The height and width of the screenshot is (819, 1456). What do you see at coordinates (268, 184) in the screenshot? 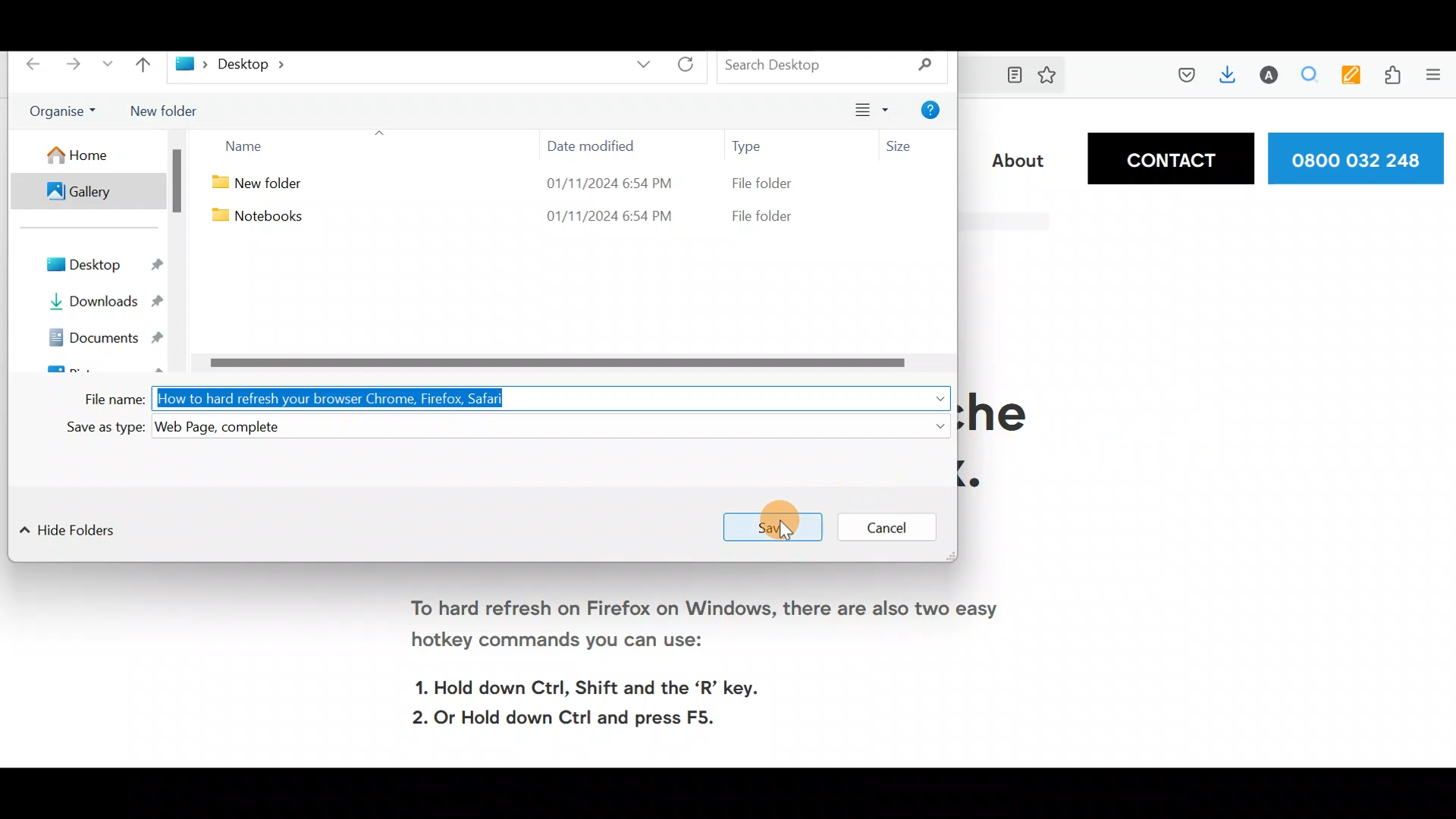
I see `New folder` at bounding box center [268, 184].